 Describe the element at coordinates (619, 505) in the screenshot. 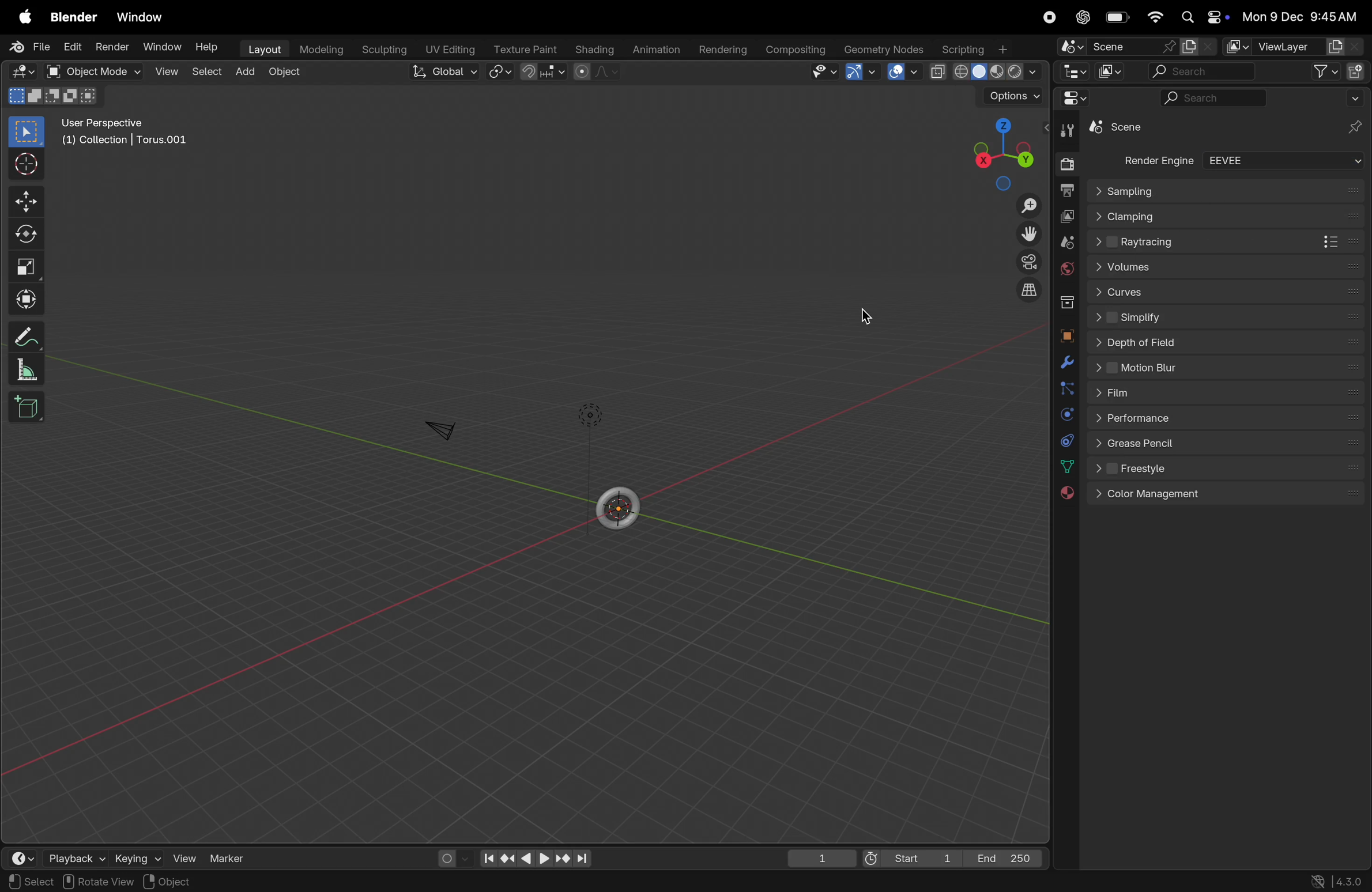

I see `torus` at that location.